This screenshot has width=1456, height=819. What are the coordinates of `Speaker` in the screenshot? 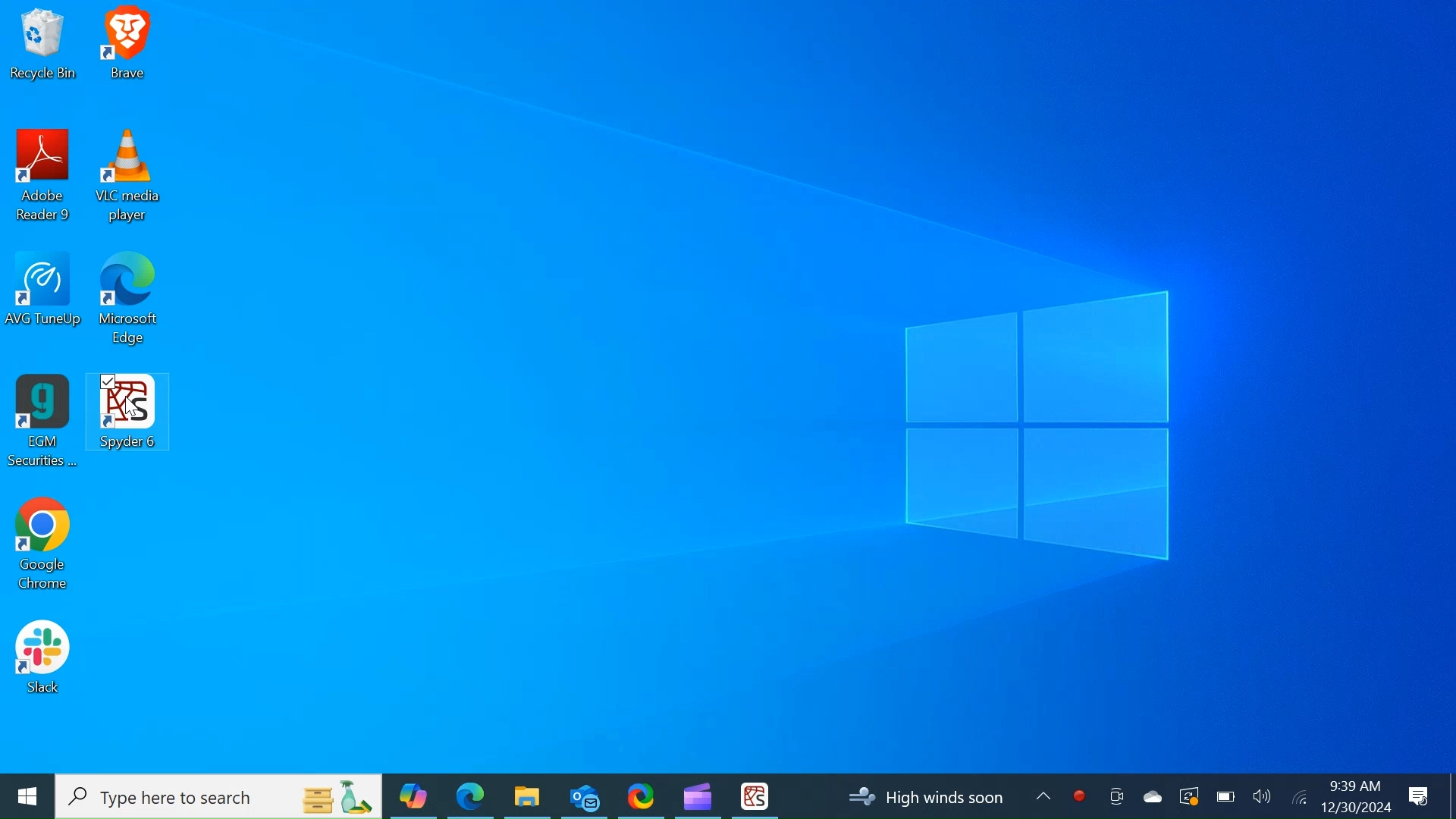 It's located at (1262, 795).